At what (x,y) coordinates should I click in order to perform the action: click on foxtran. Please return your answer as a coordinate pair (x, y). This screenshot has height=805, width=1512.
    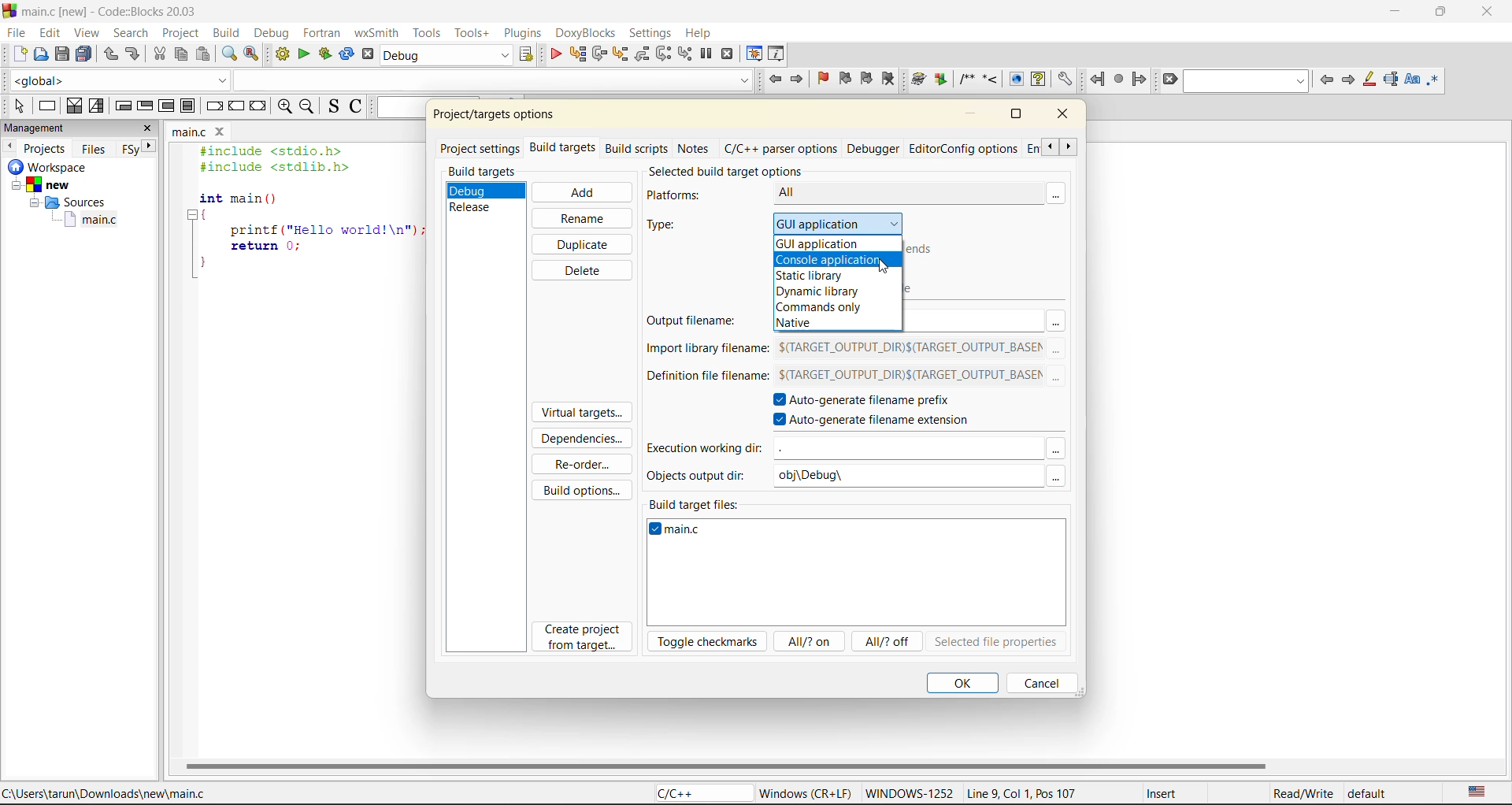
    Looking at the image, I should click on (324, 34).